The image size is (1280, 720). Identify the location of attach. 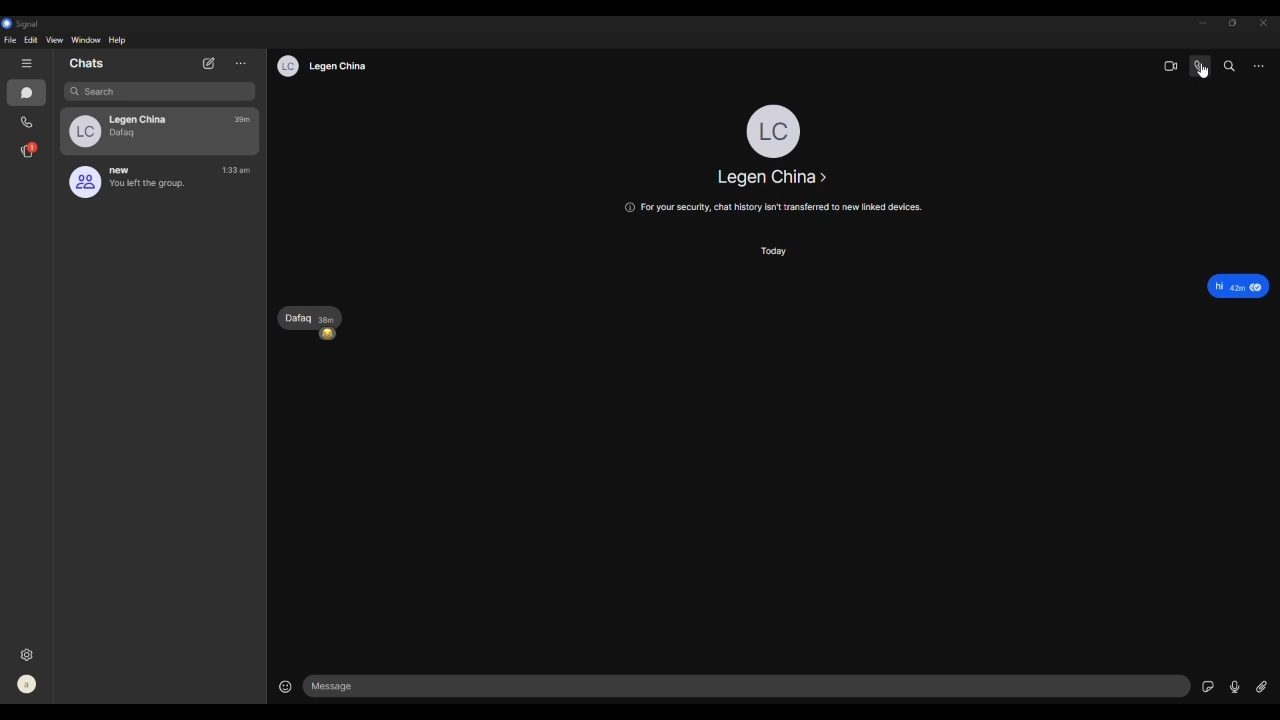
(1265, 687).